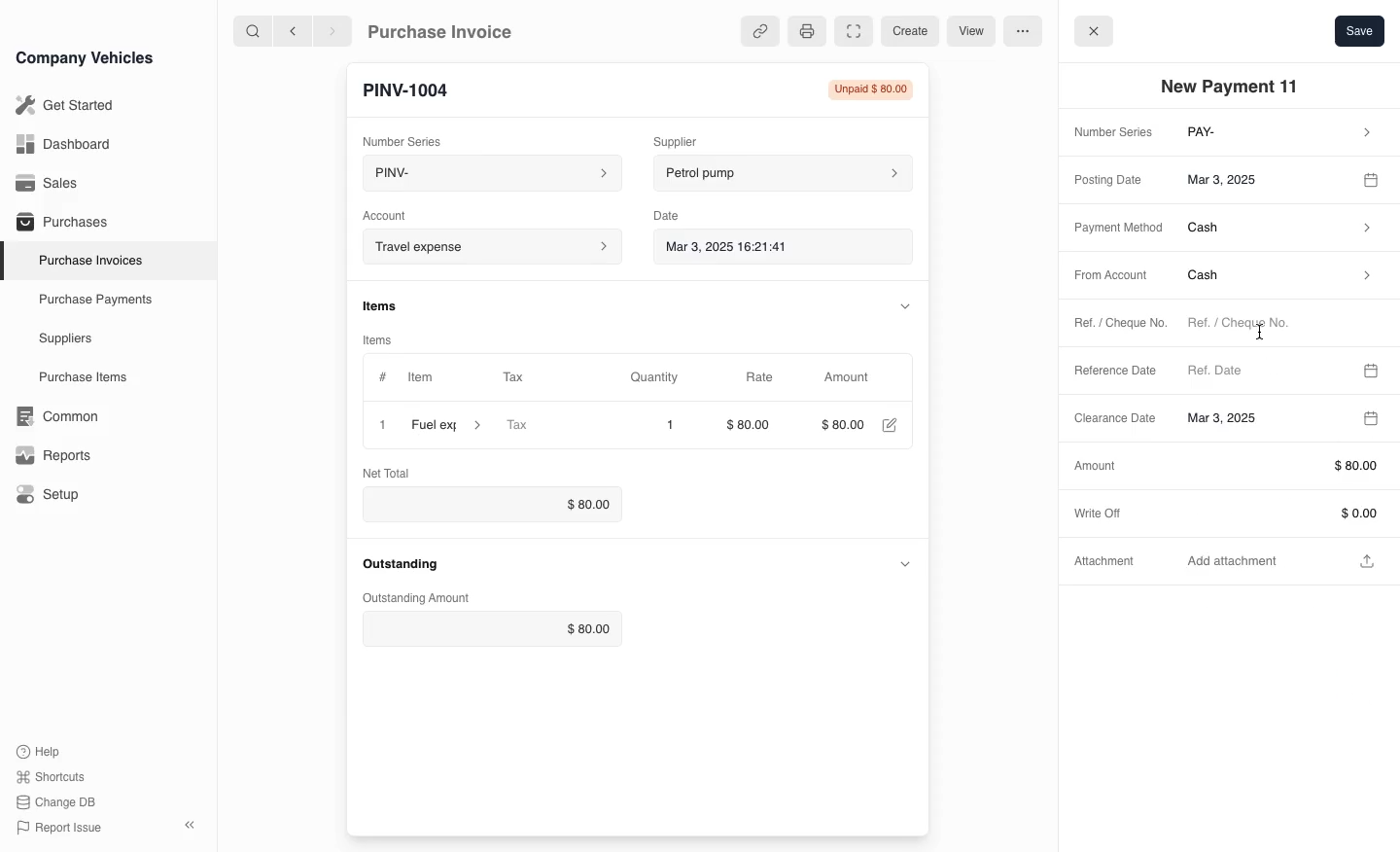  Describe the element at coordinates (1281, 134) in the screenshot. I see `PAY-` at that location.